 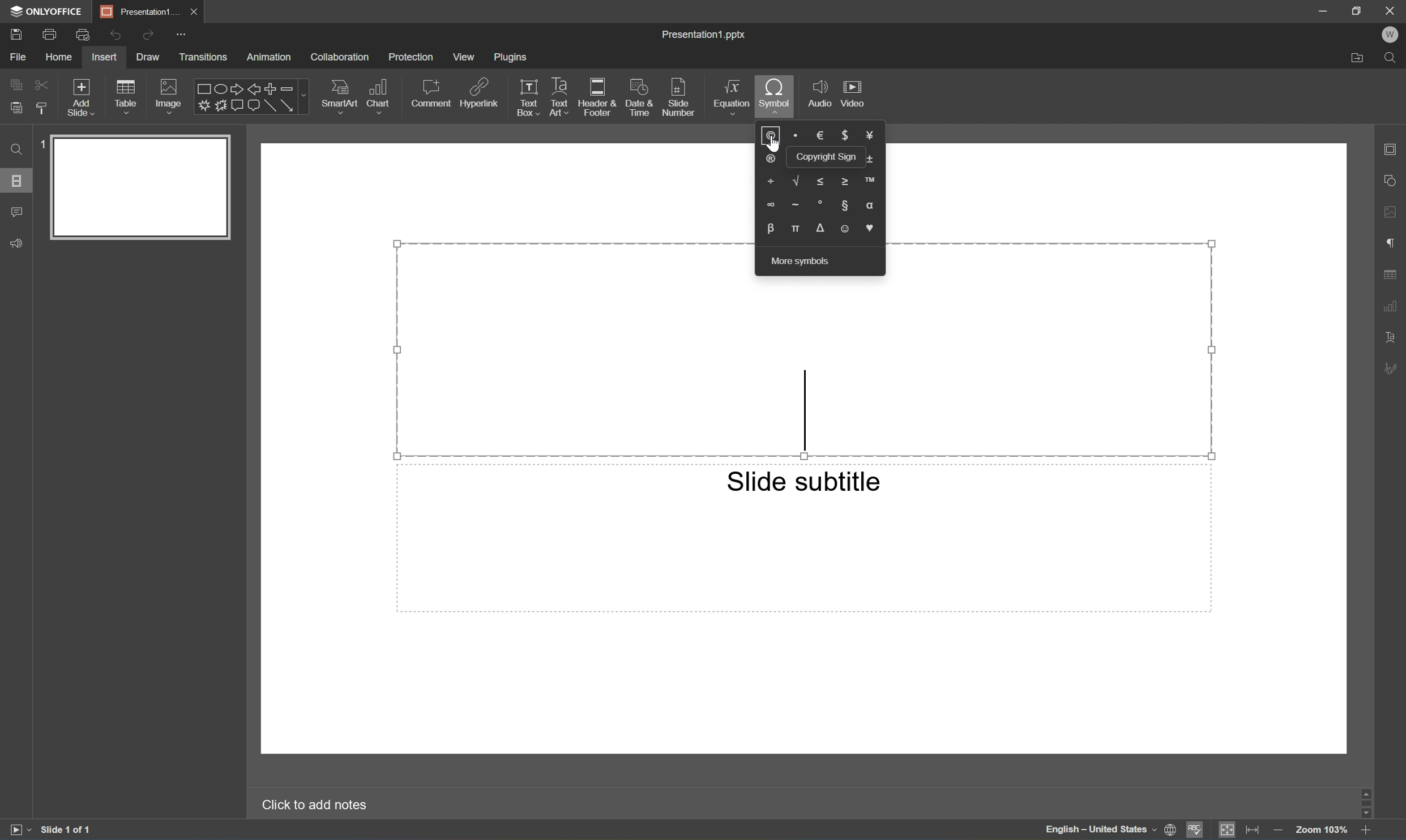 What do you see at coordinates (1358, 57) in the screenshot?
I see `Open file location` at bounding box center [1358, 57].